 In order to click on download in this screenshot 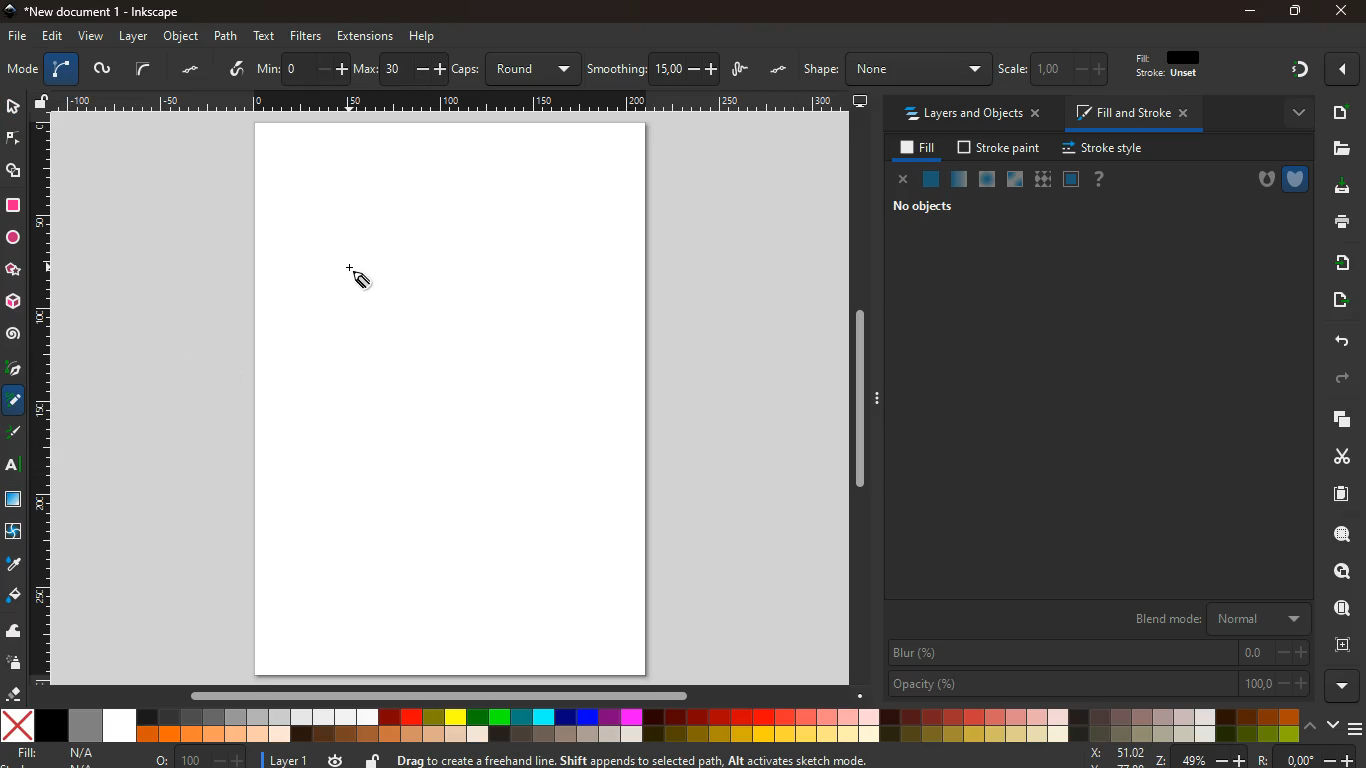, I will do `click(1339, 189)`.